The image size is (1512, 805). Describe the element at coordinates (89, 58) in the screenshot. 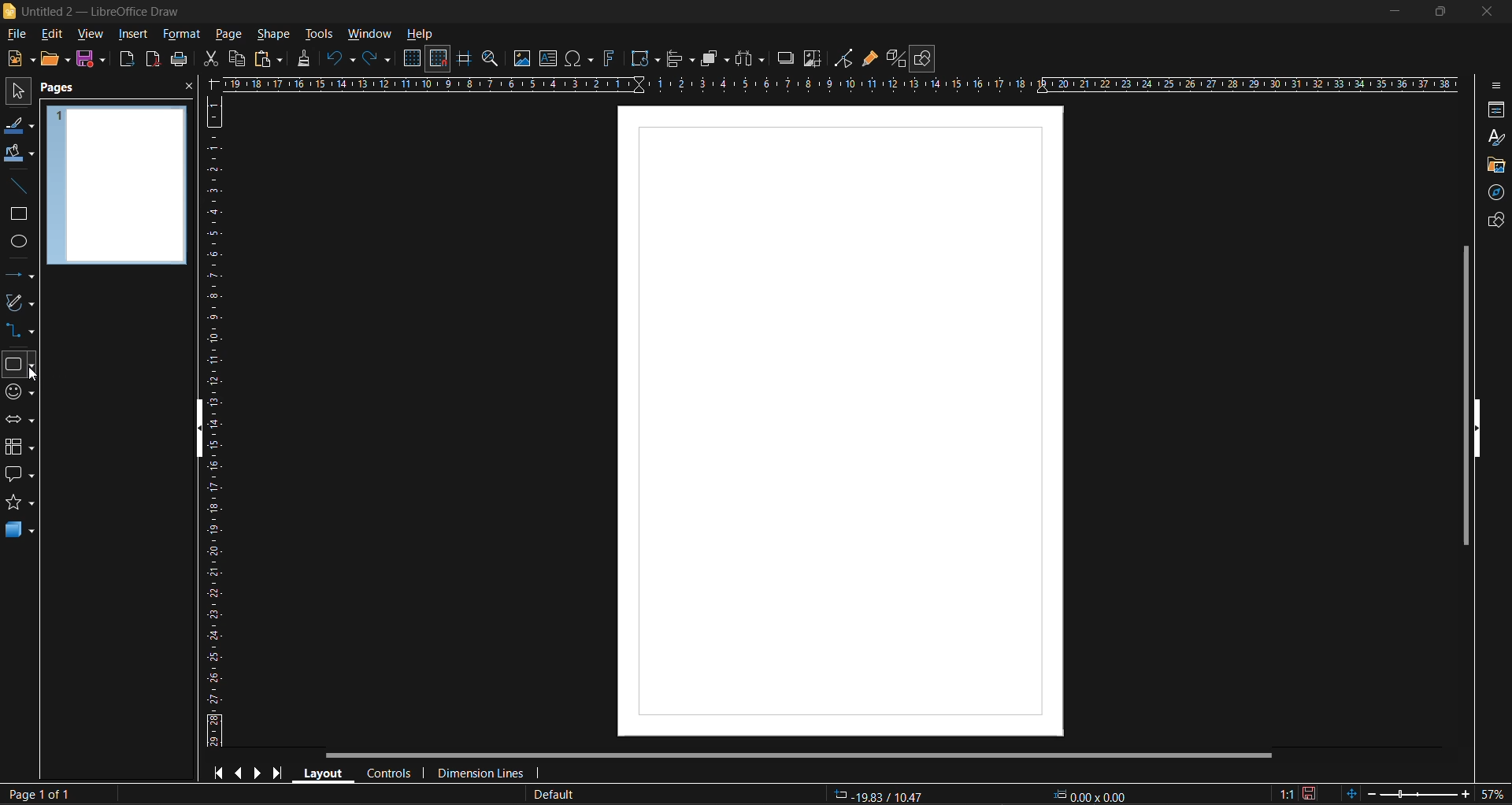

I see `save` at that location.